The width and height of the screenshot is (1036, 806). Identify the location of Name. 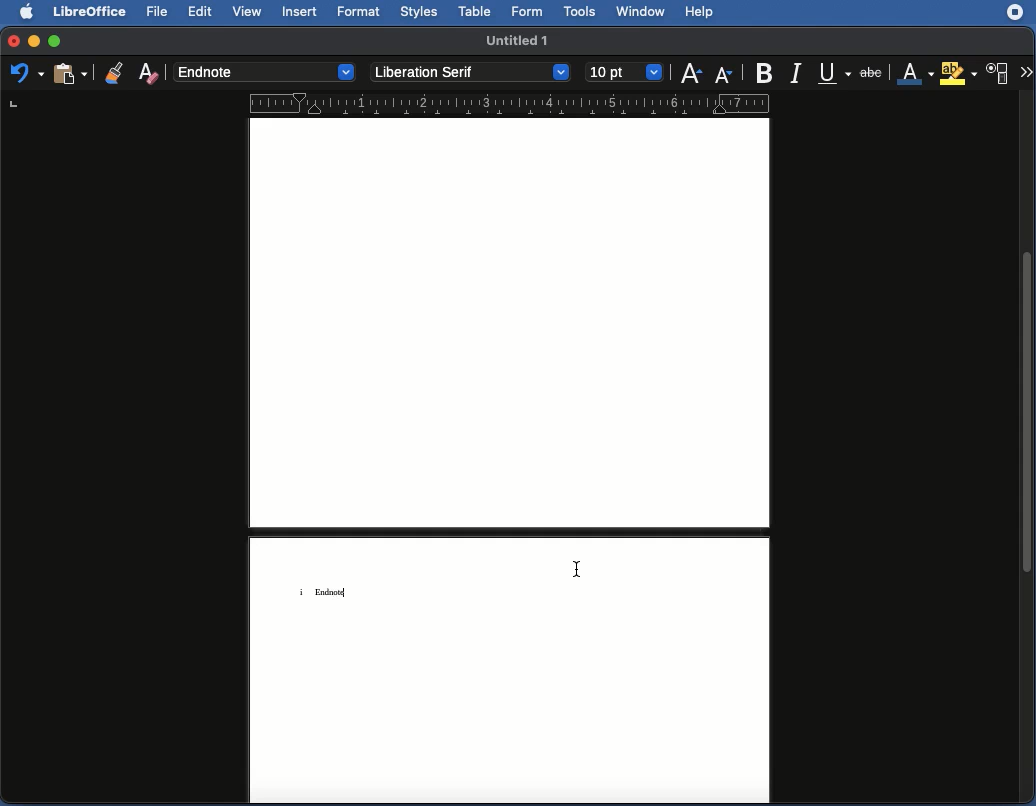
(519, 39).